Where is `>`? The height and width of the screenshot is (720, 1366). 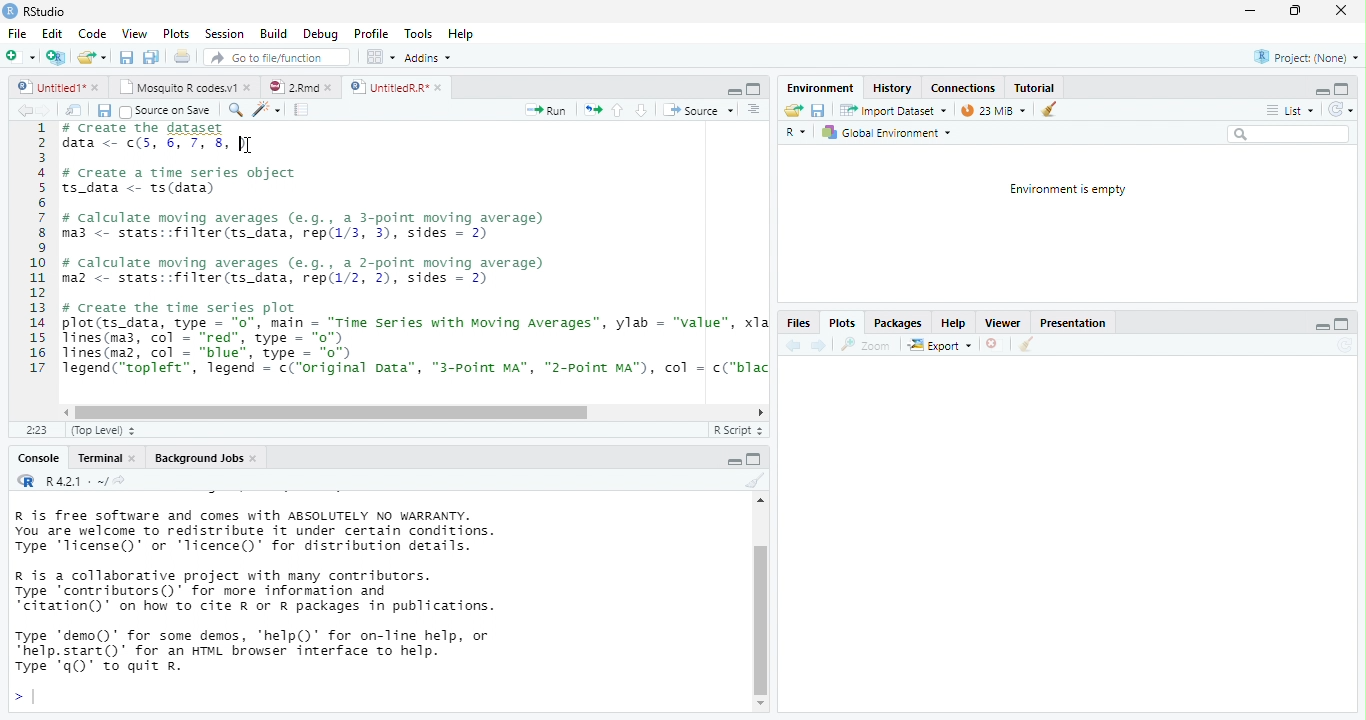
> is located at coordinates (23, 698).